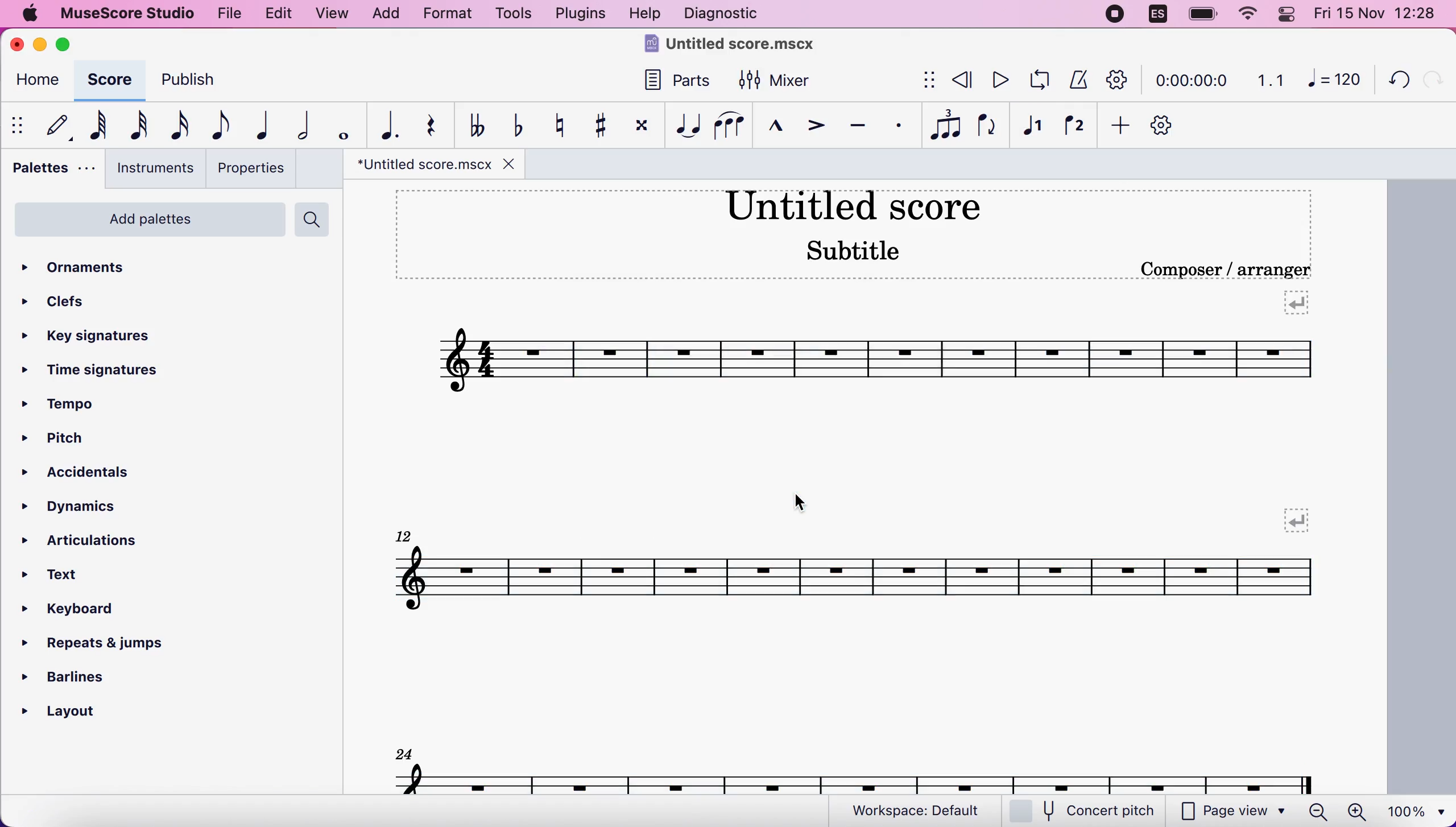 The width and height of the screenshot is (1456, 827). Describe the element at coordinates (278, 14) in the screenshot. I see `edit` at that location.